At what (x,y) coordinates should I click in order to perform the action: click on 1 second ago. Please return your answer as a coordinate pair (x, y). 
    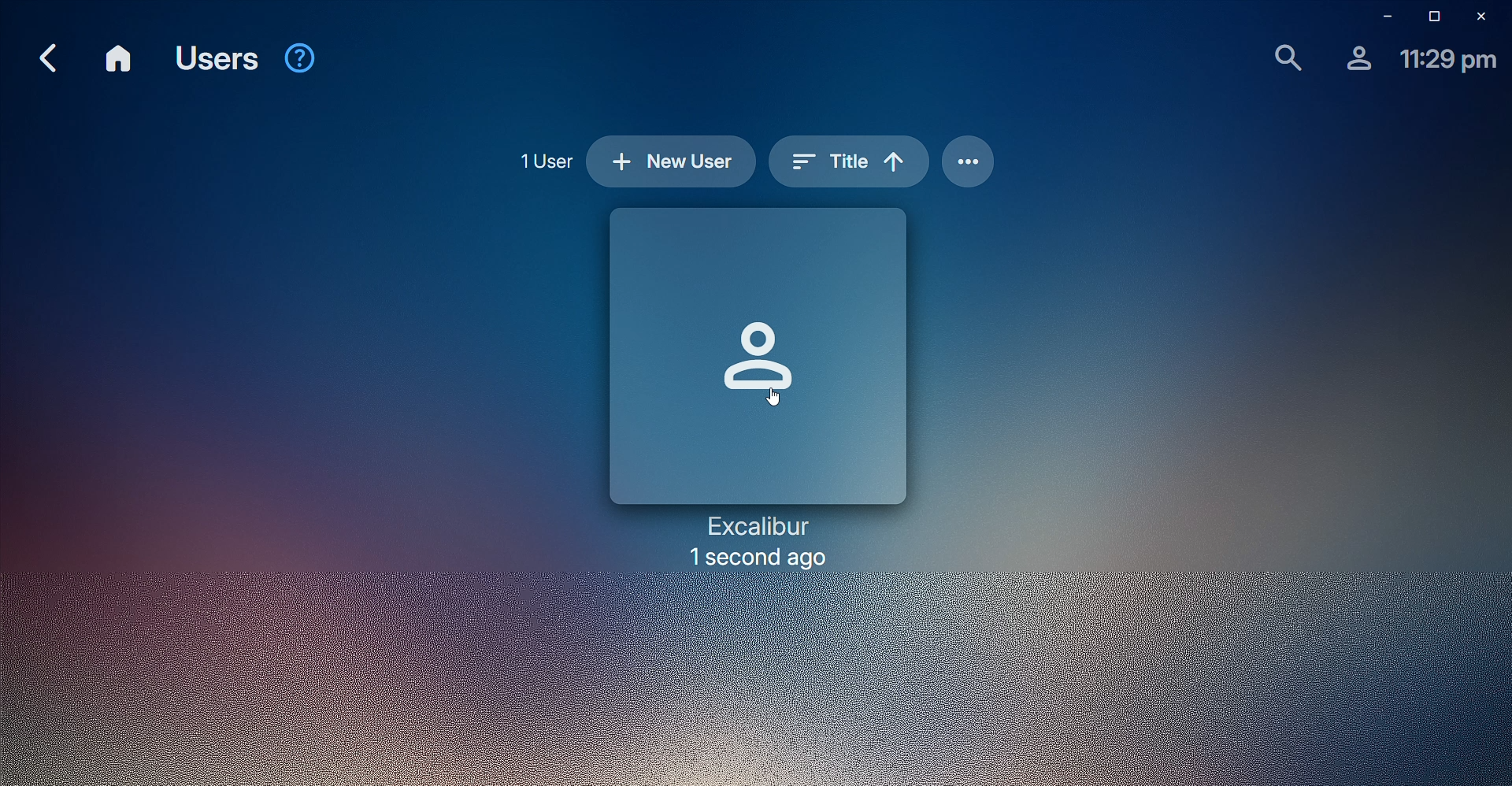
    Looking at the image, I should click on (765, 559).